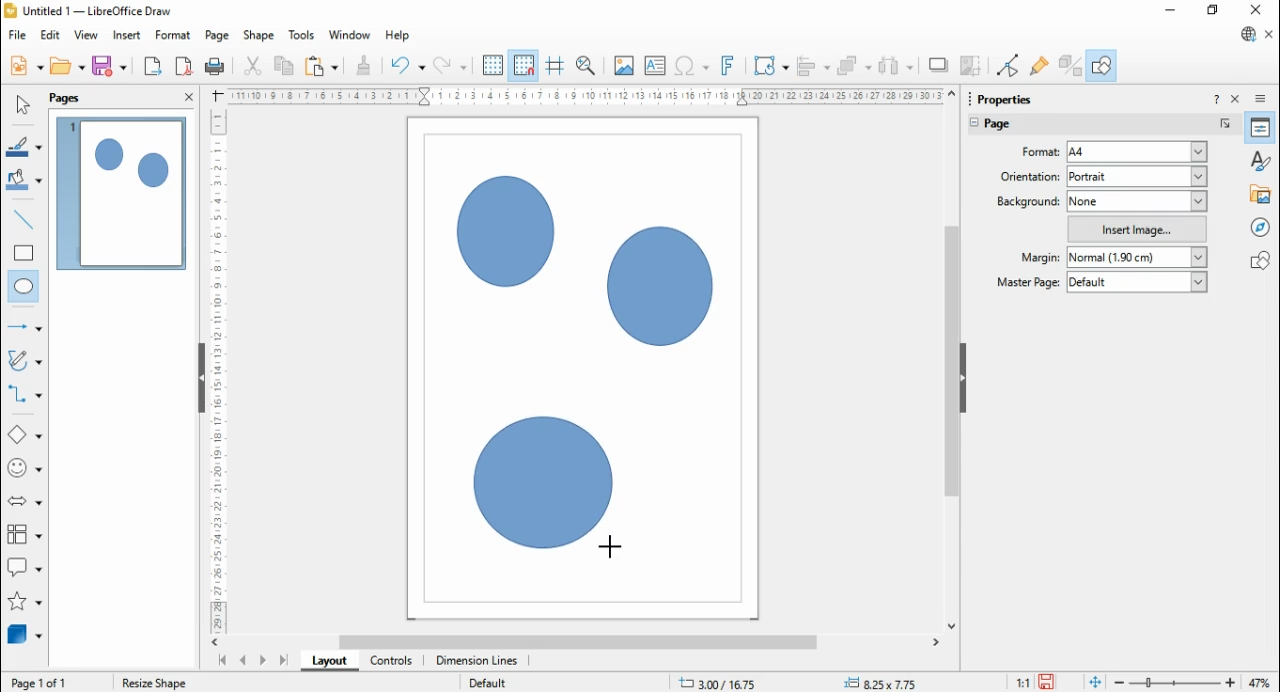 The image size is (1280, 692). What do you see at coordinates (728, 65) in the screenshot?
I see `insert fontwork text` at bounding box center [728, 65].